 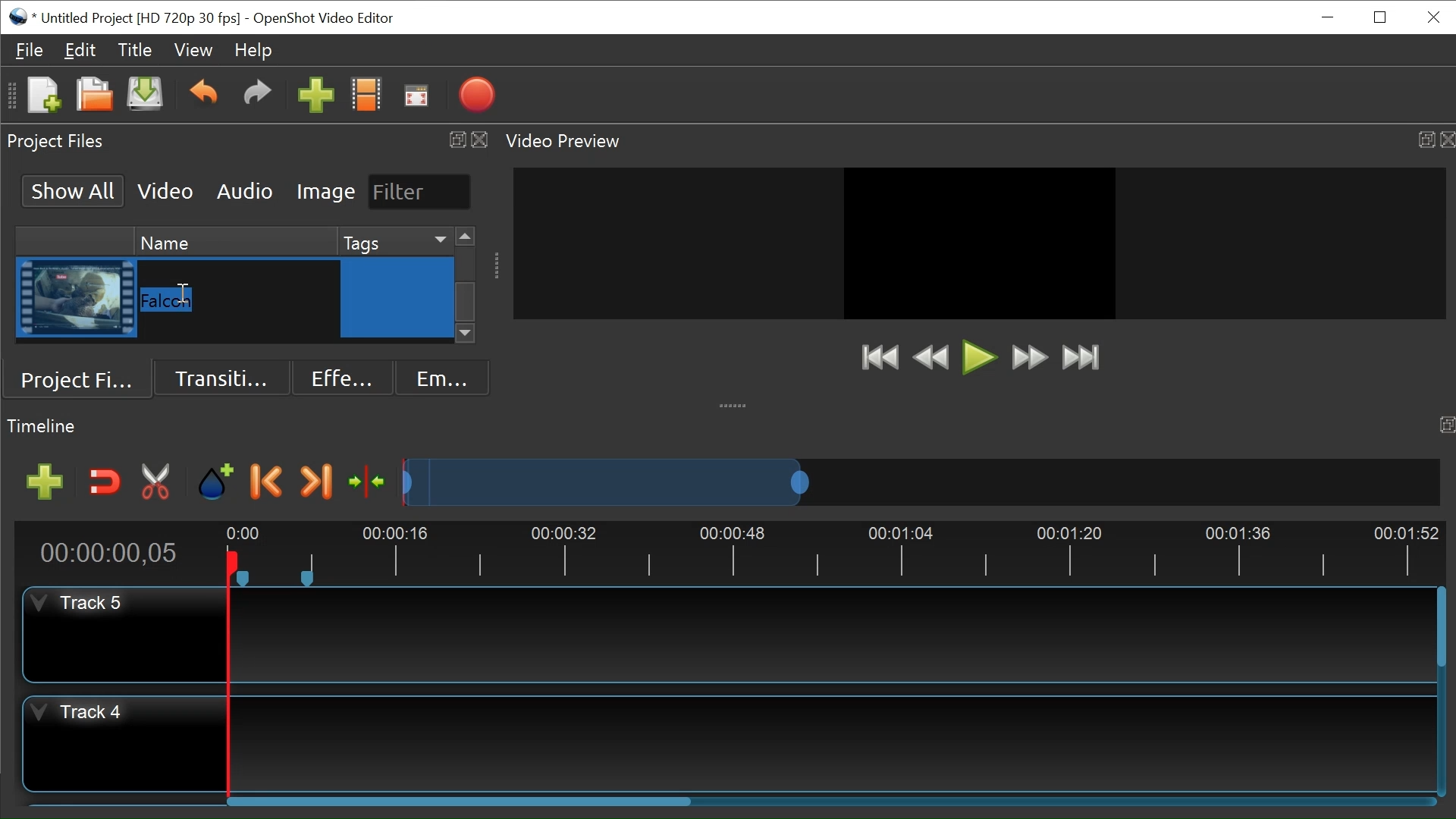 I want to click on Project Files, so click(x=248, y=140).